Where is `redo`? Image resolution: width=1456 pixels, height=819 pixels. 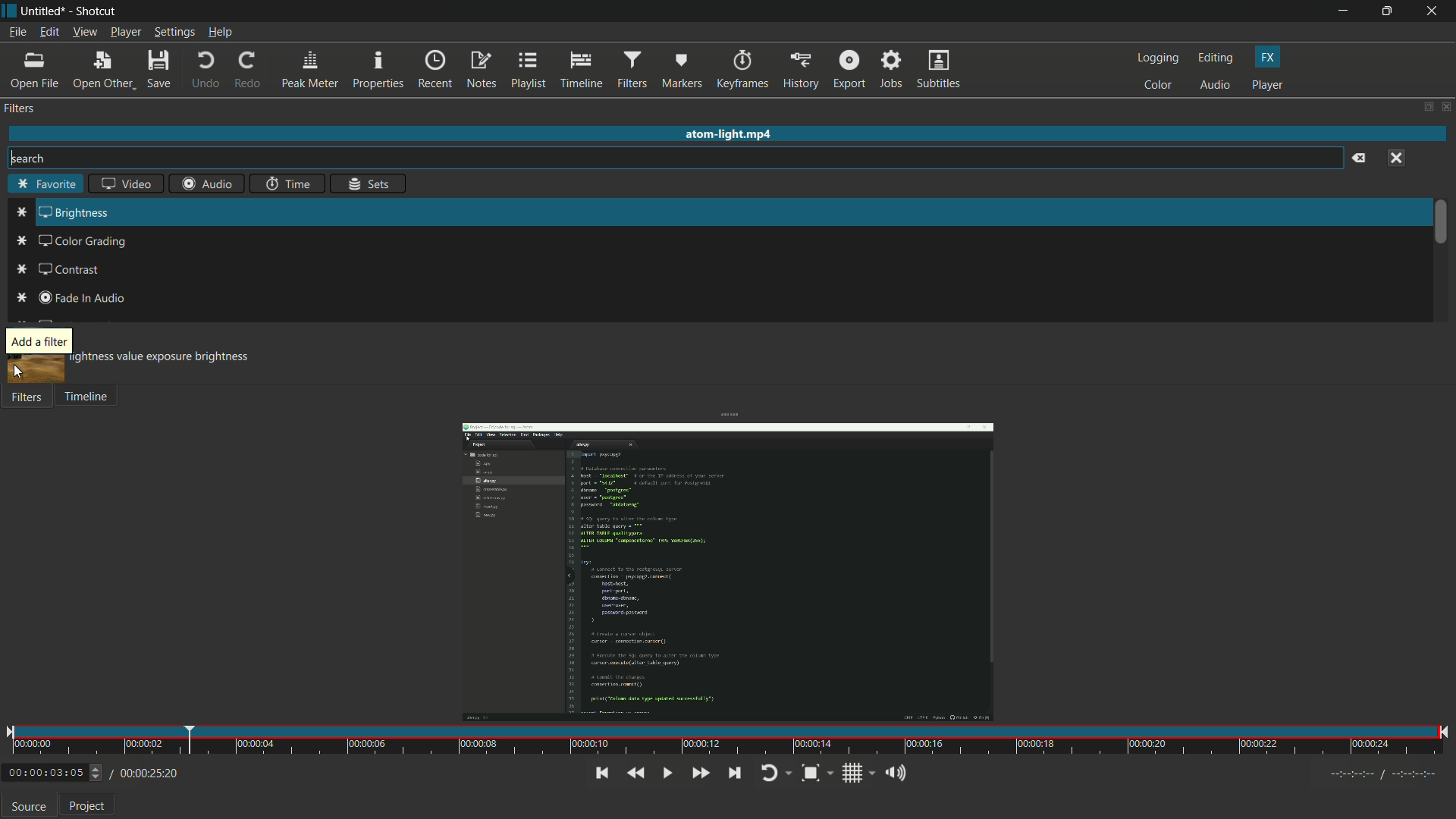 redo is located at coordinates (249, 71).